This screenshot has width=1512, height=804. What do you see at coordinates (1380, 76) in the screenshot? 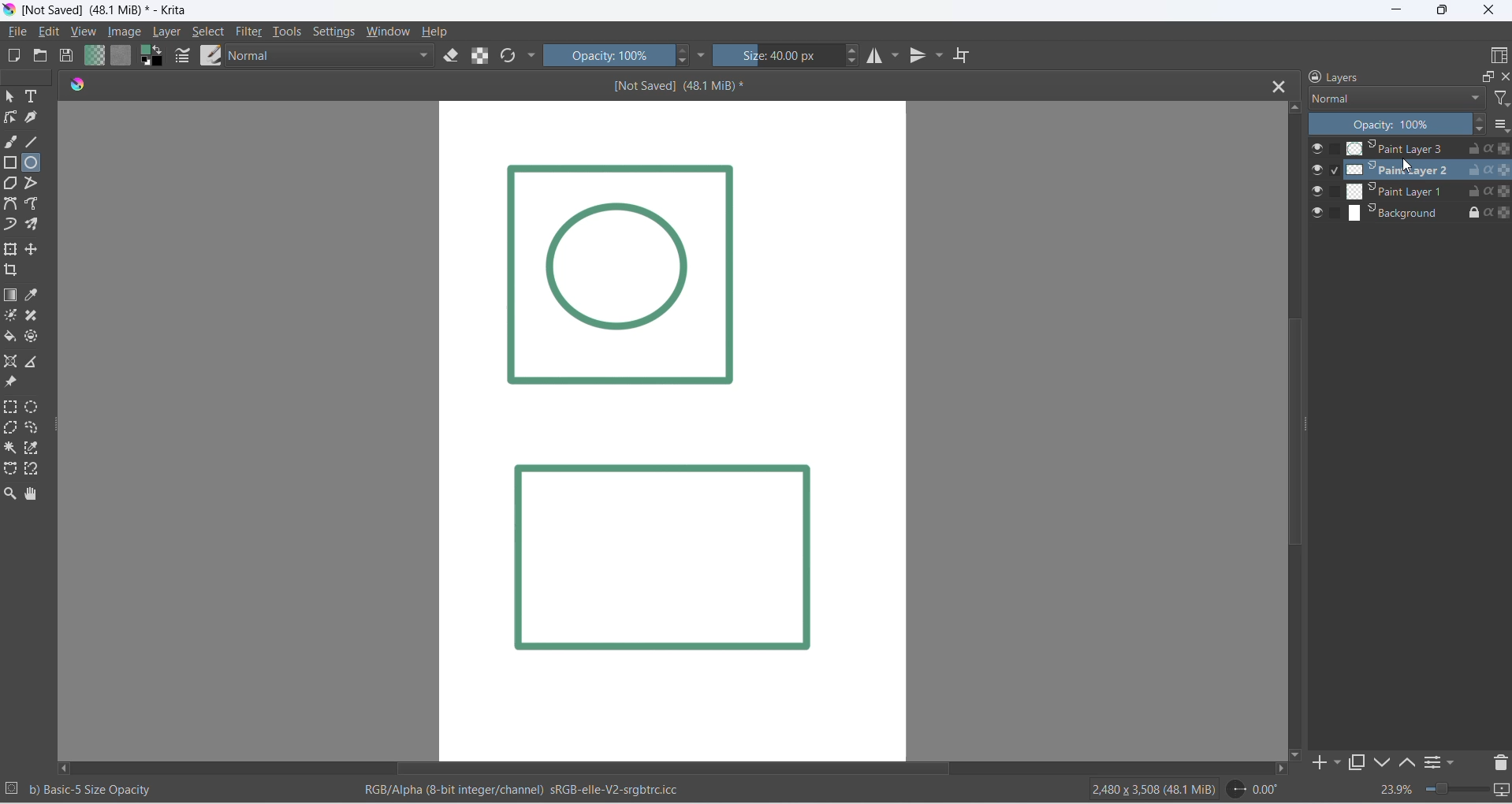
I see `layers heading` at bounding box center [1380, 76].